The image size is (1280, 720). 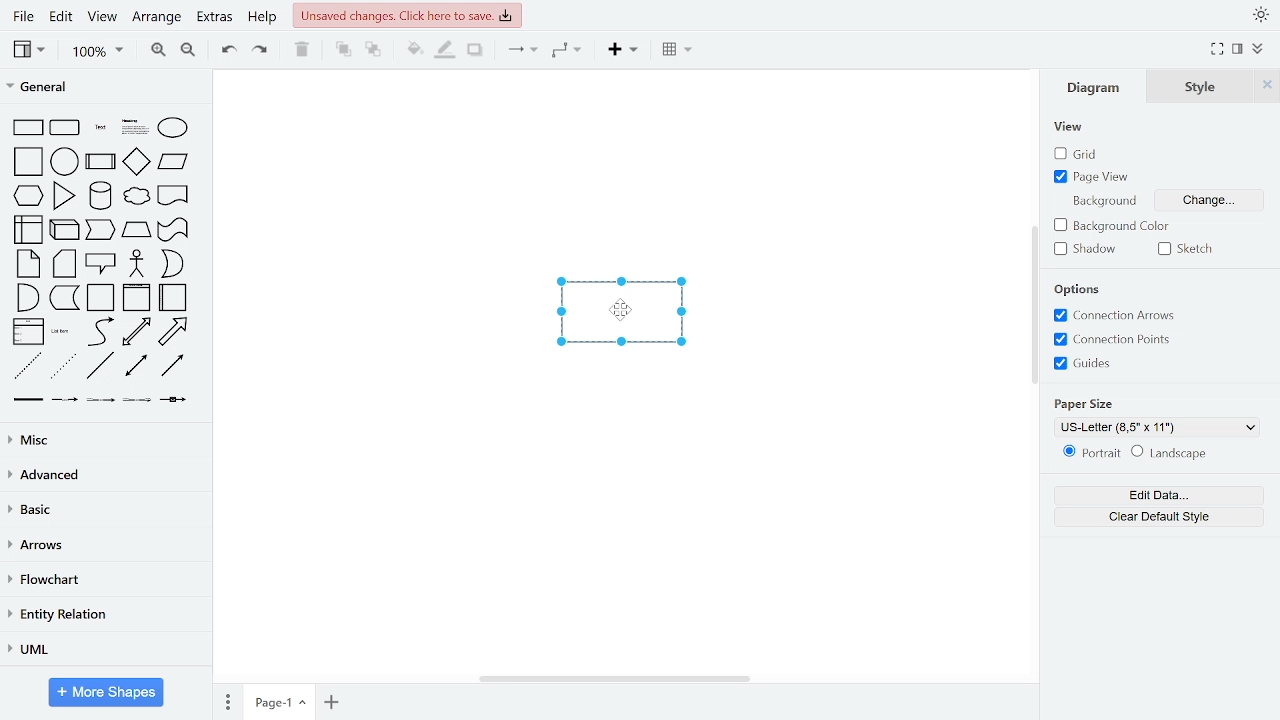 I want to click on horizontal scrollbar, so click(x=613, y=680).